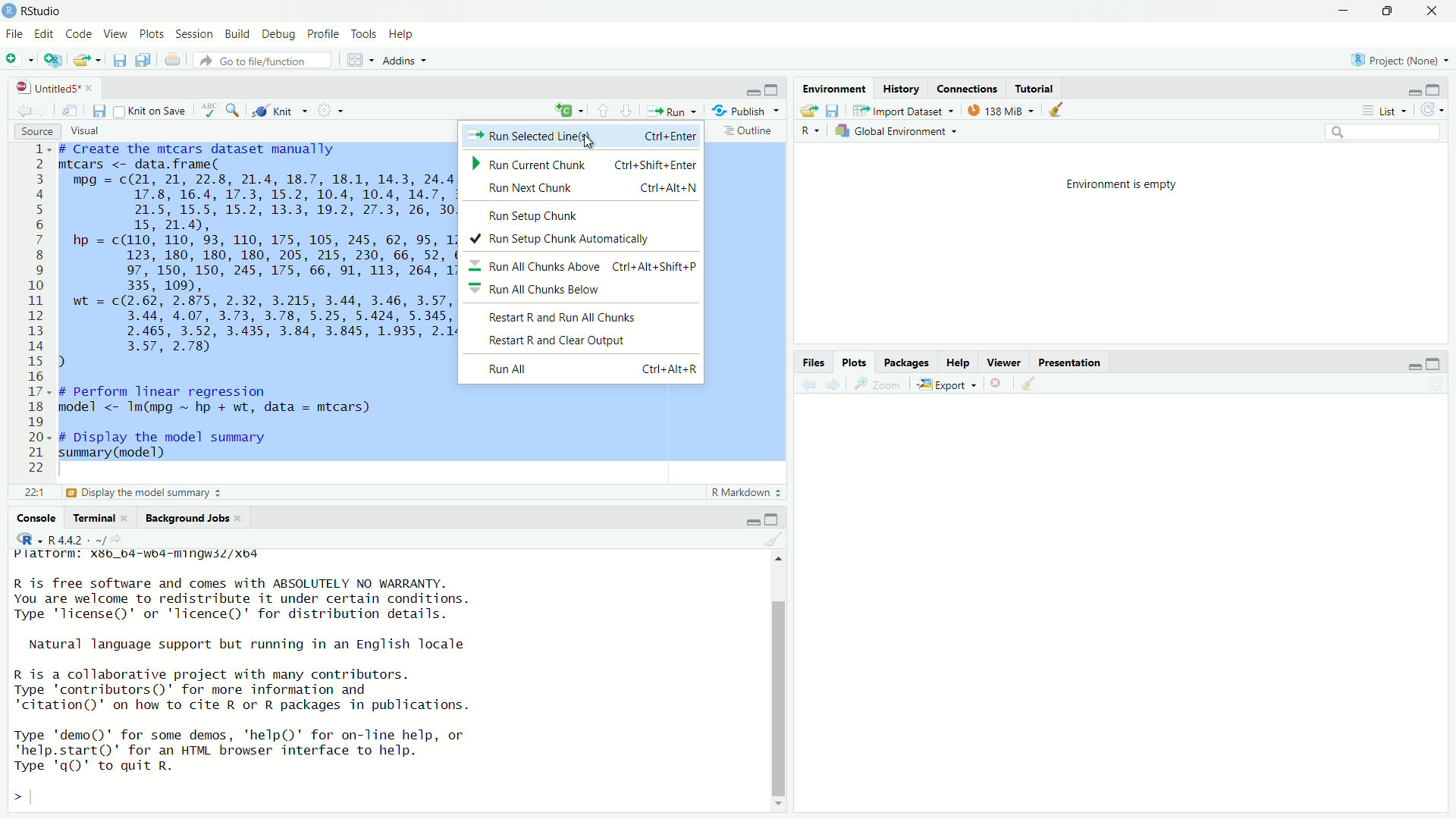  Describe the element at coordinates (1434, 11) in the screenshot. I see `close` at that location.